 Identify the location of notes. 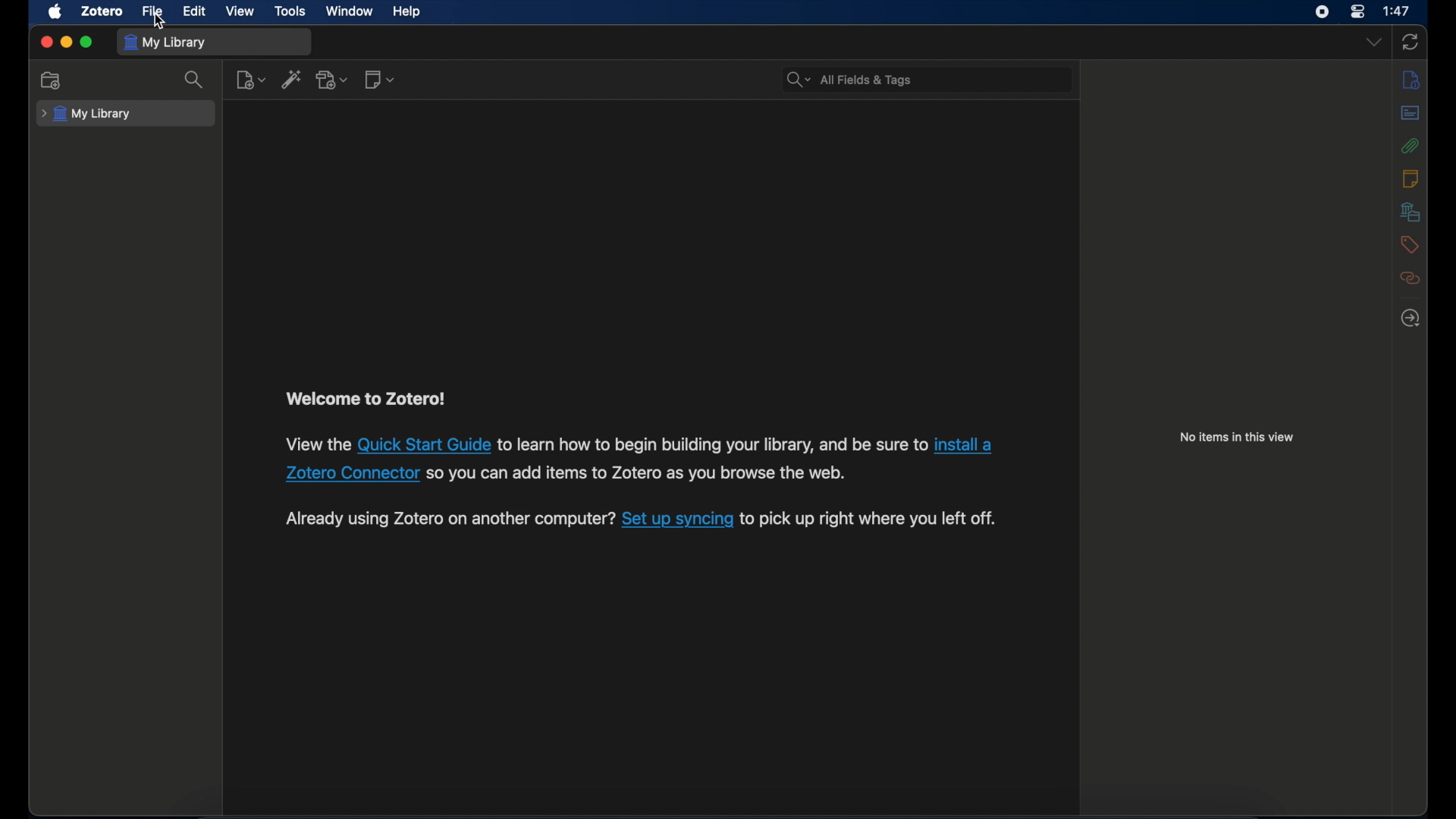
(1411, 179).